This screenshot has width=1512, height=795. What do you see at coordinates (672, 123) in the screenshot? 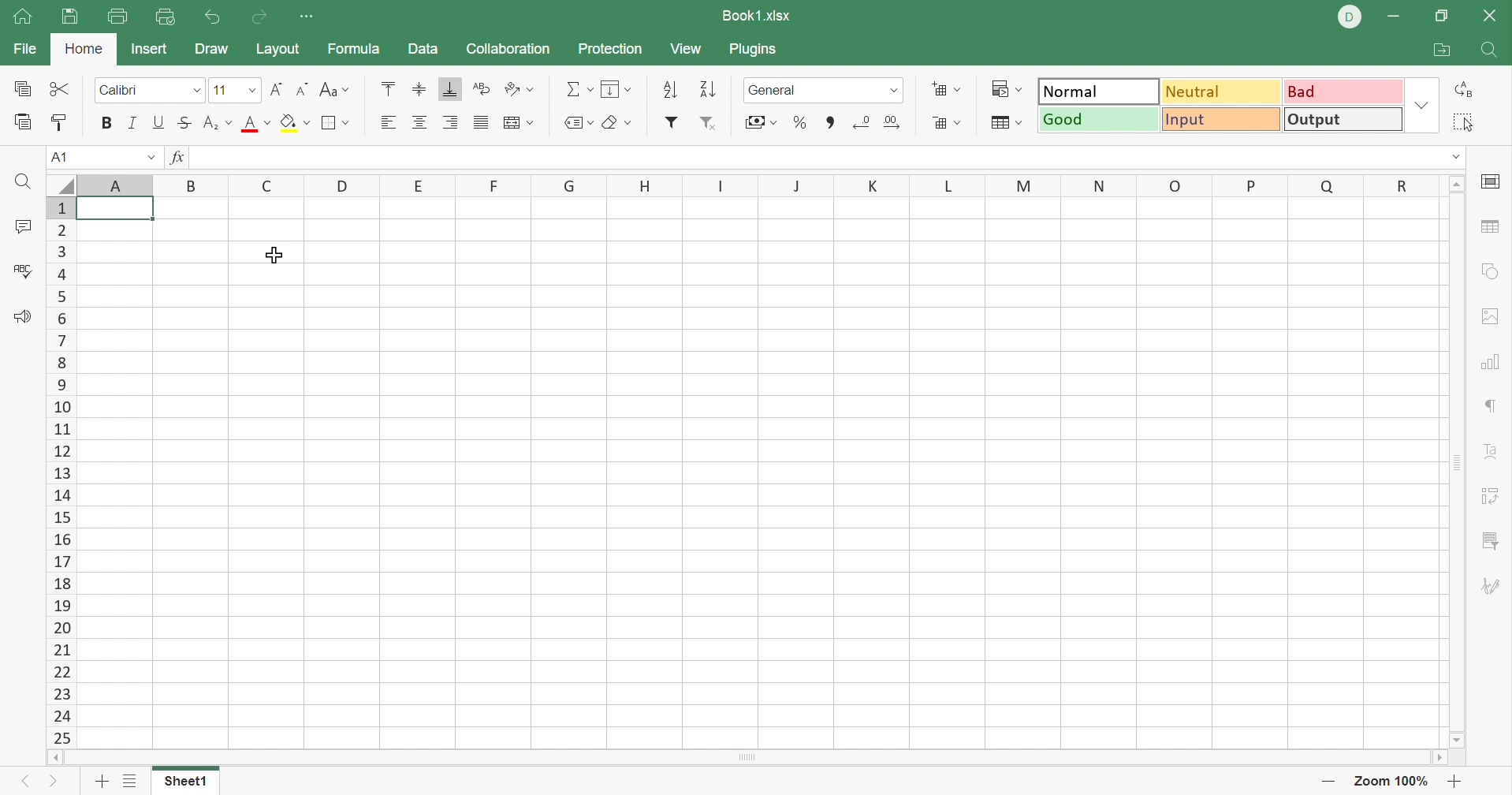
I see `Filter` at bounding box center [672, 123].